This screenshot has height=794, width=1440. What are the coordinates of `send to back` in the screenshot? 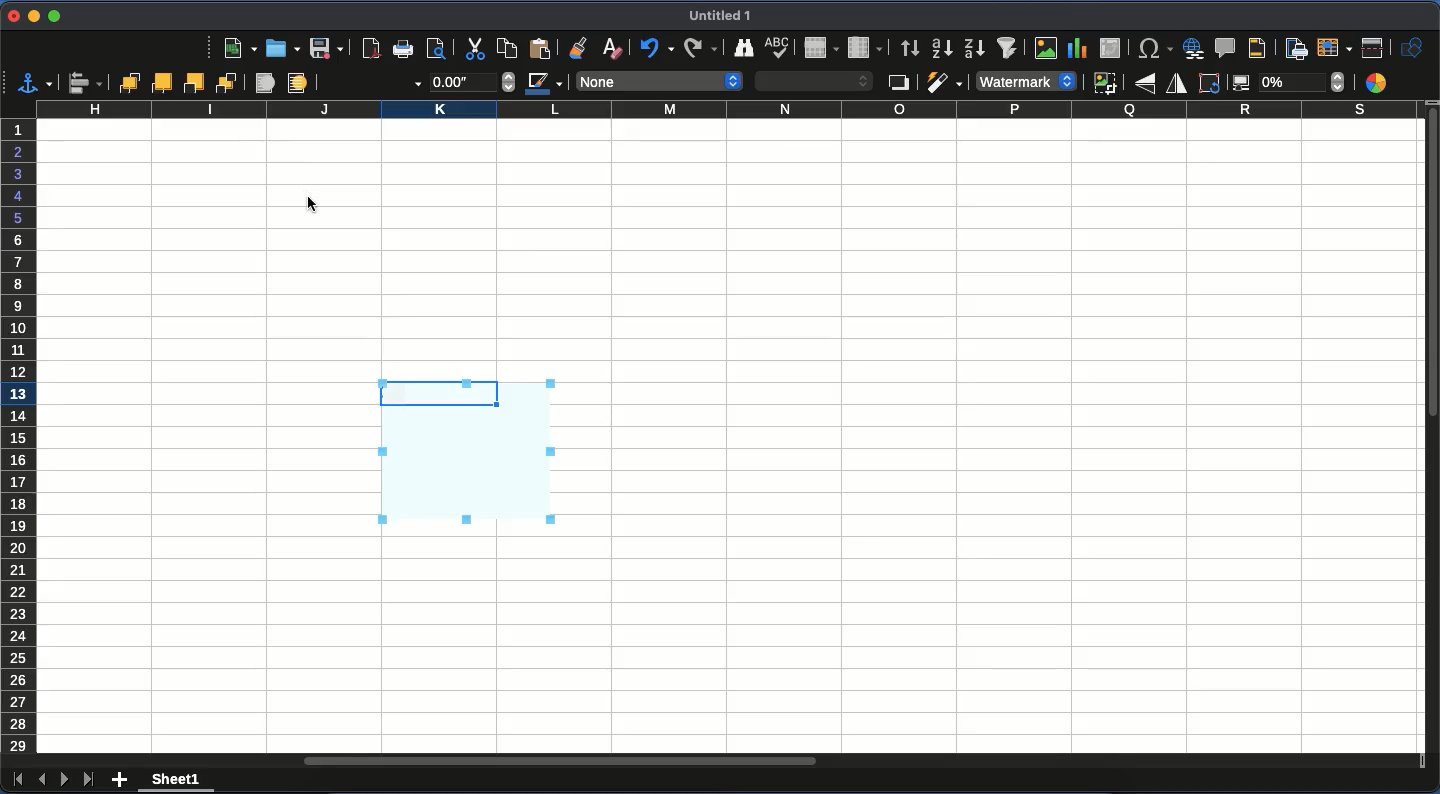 It's located at (228, 83).